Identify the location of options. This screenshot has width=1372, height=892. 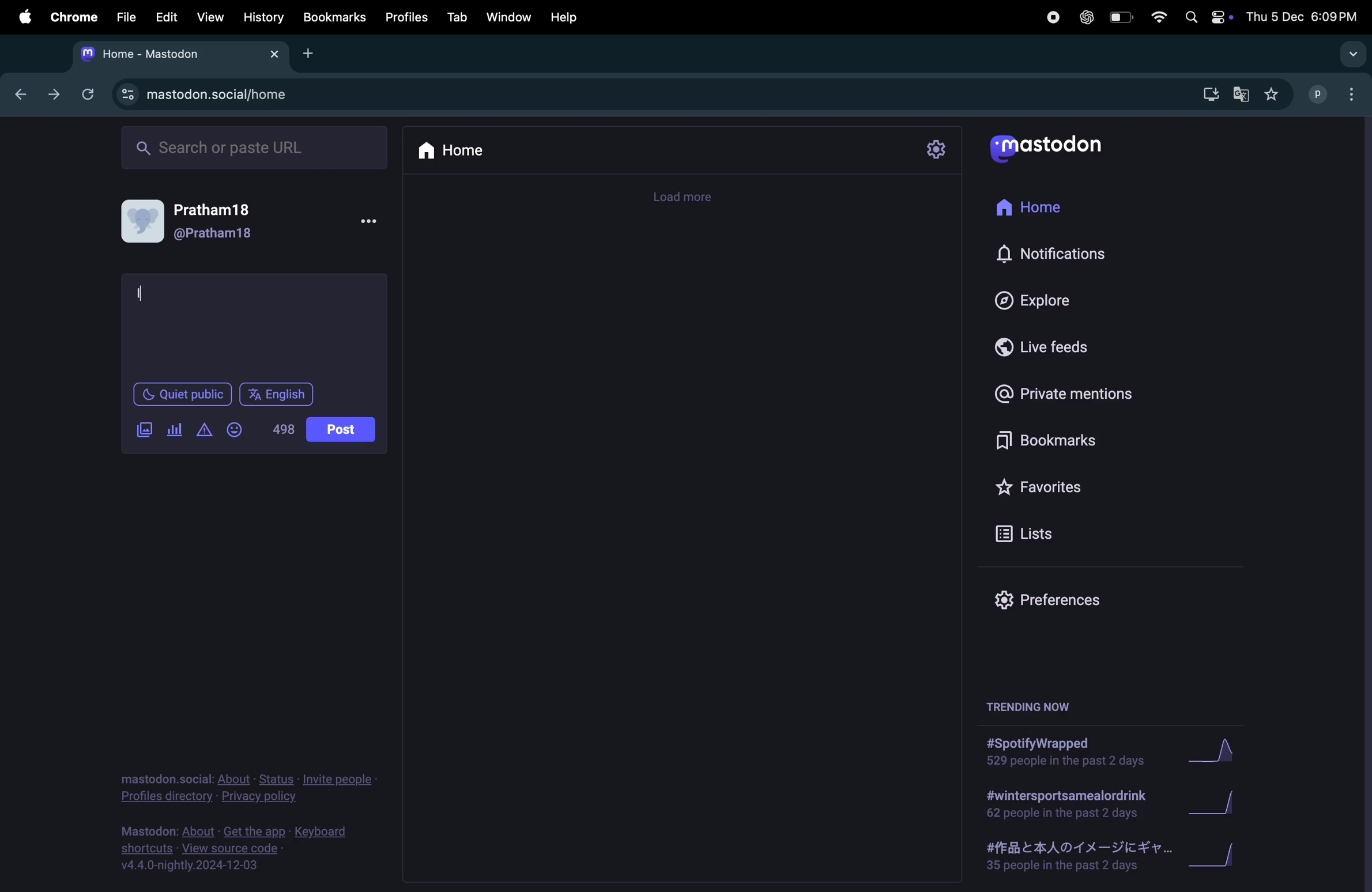
(372, 221).